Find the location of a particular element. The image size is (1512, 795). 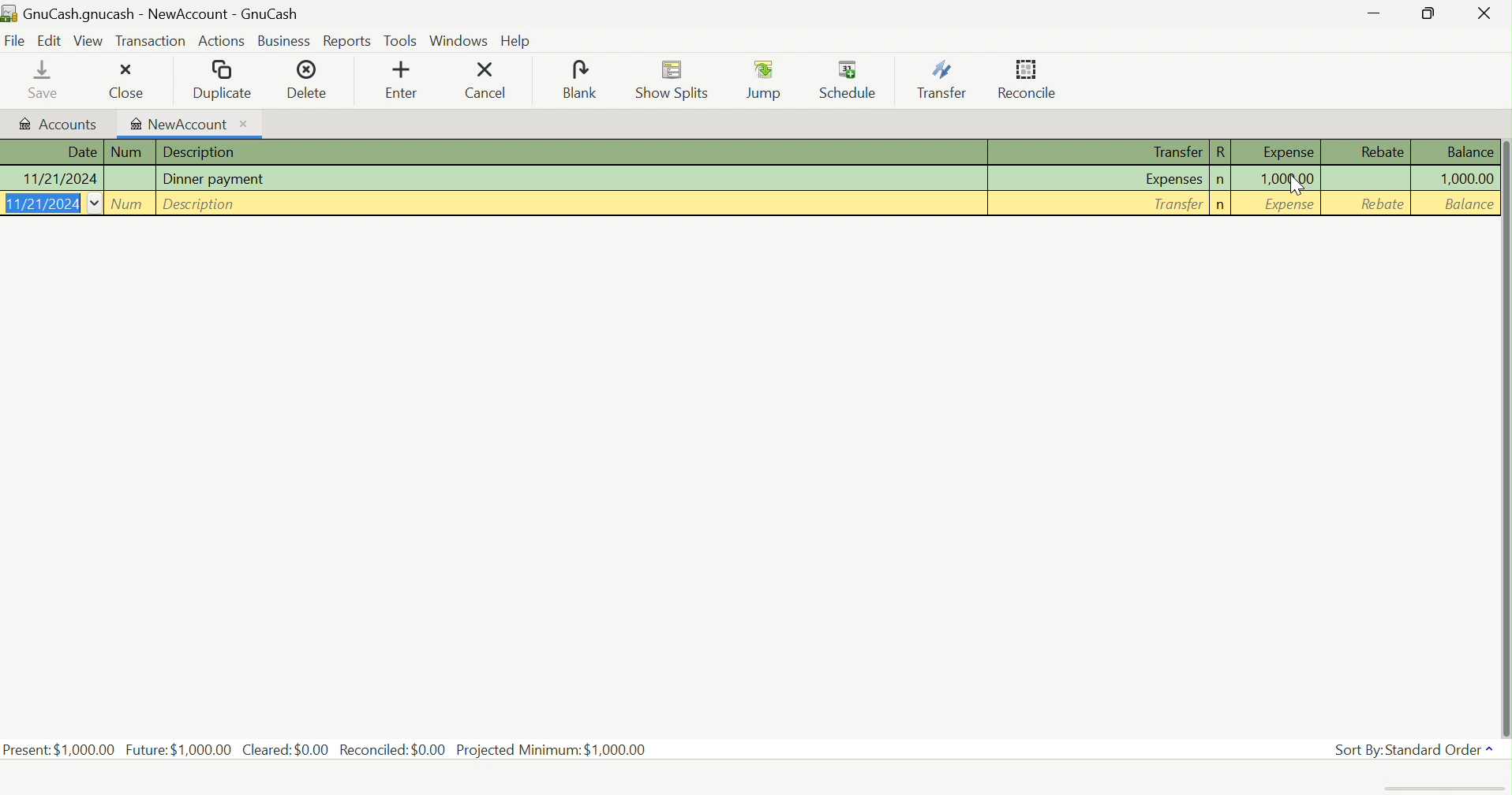

Minimize is located at coordinates (1375, 15).